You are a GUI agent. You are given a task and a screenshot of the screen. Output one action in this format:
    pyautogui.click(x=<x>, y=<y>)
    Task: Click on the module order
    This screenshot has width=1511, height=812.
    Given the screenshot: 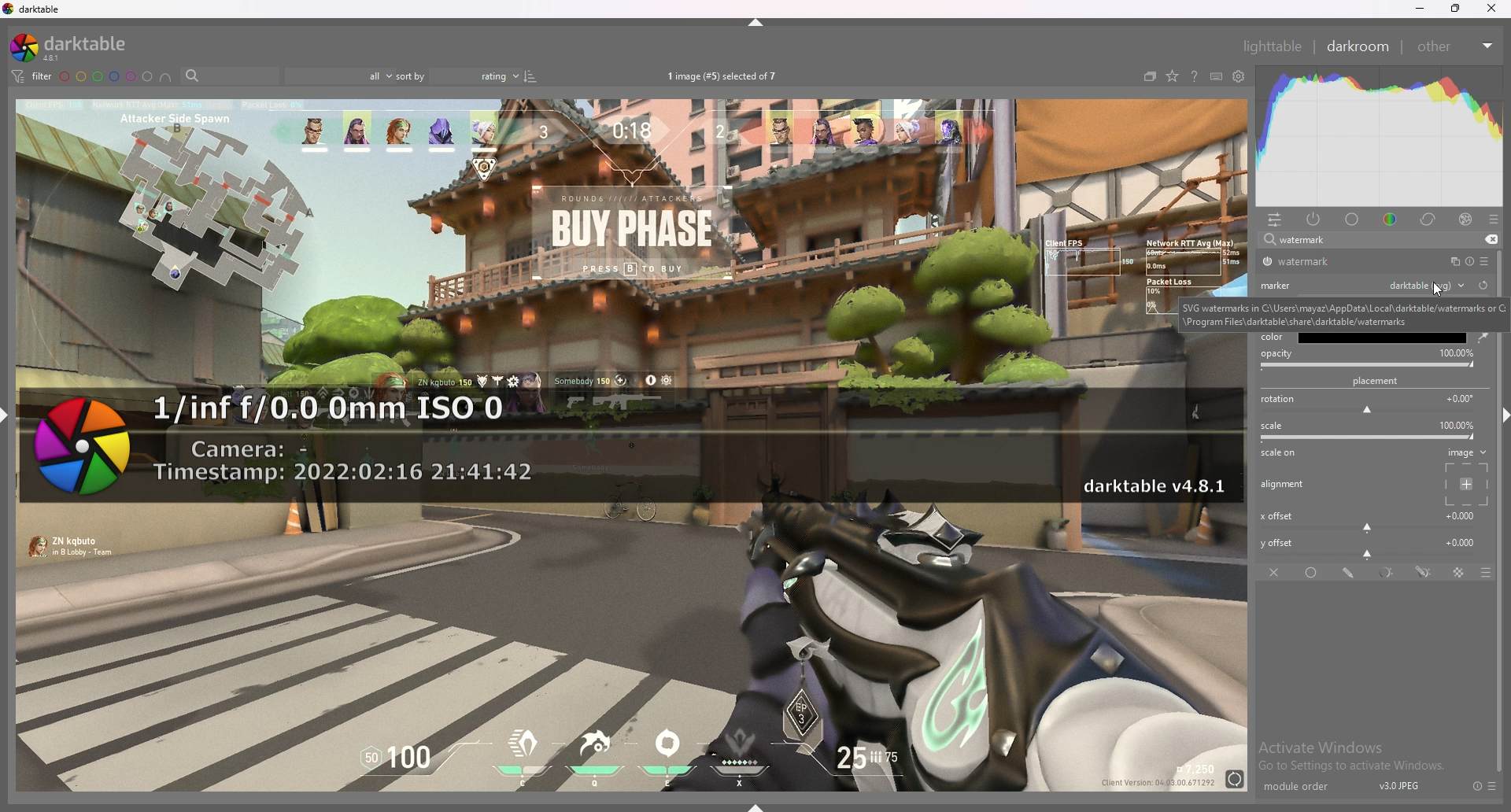 What is the action you would take?
    pyautogui.click(x=1304, y=787)
    